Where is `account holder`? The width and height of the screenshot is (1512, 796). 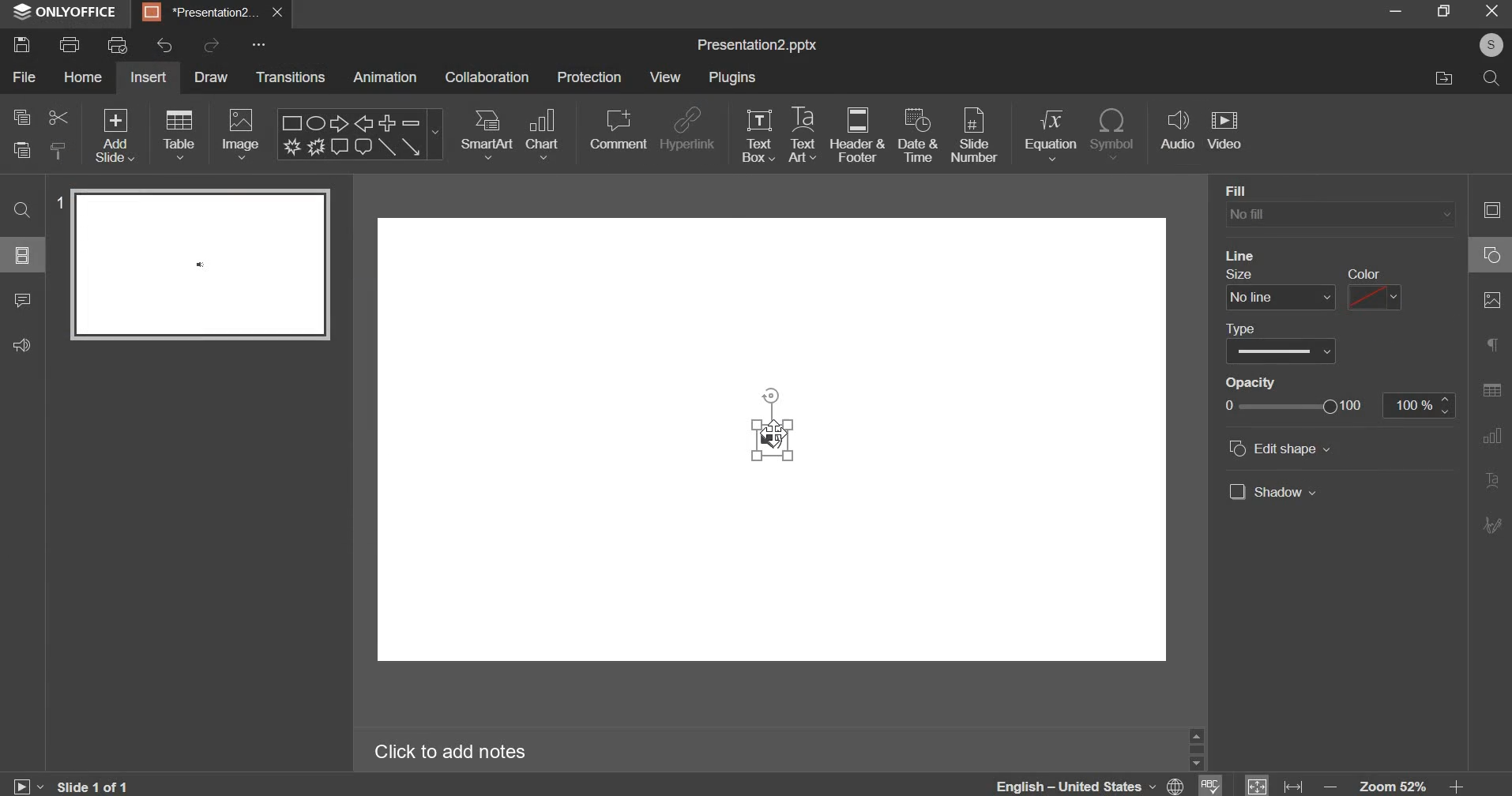 account holder is located at coordinates (1491, 45).